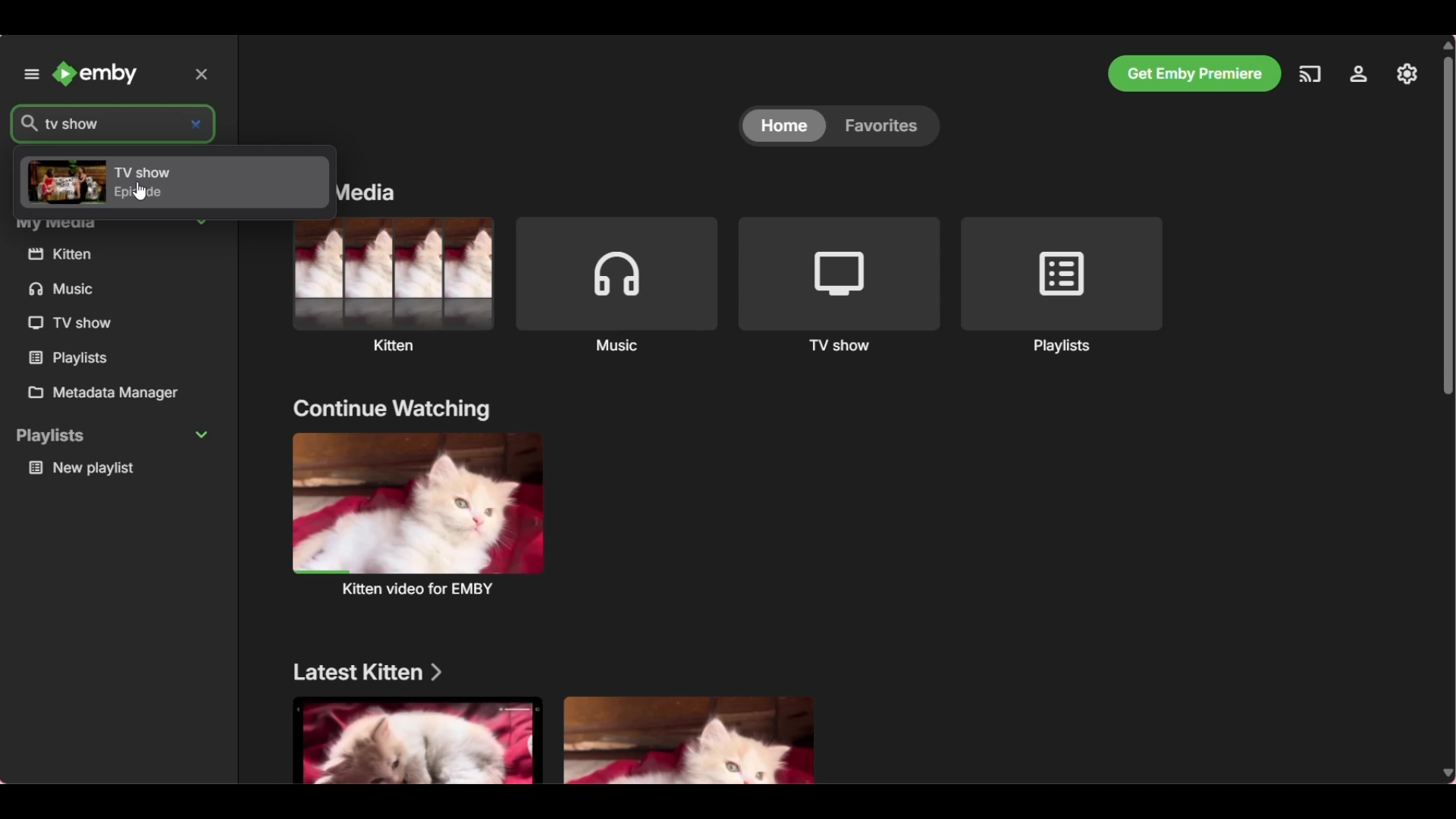 This screenshot has height=819, width=1456. I want to click on cursor, so click(142, 190).